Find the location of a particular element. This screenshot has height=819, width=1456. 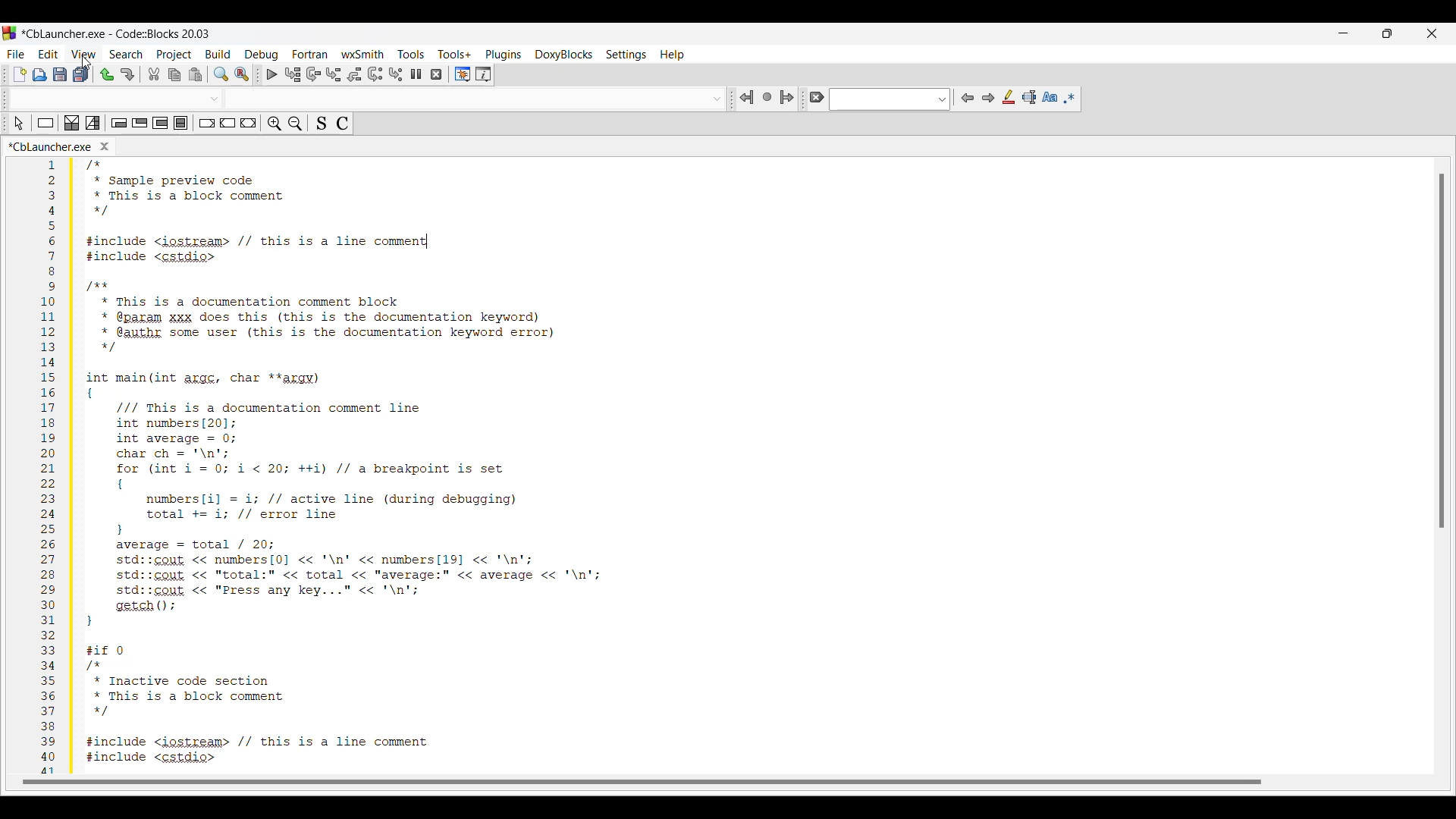

Toggle comments is located at coordinates (343, 123).